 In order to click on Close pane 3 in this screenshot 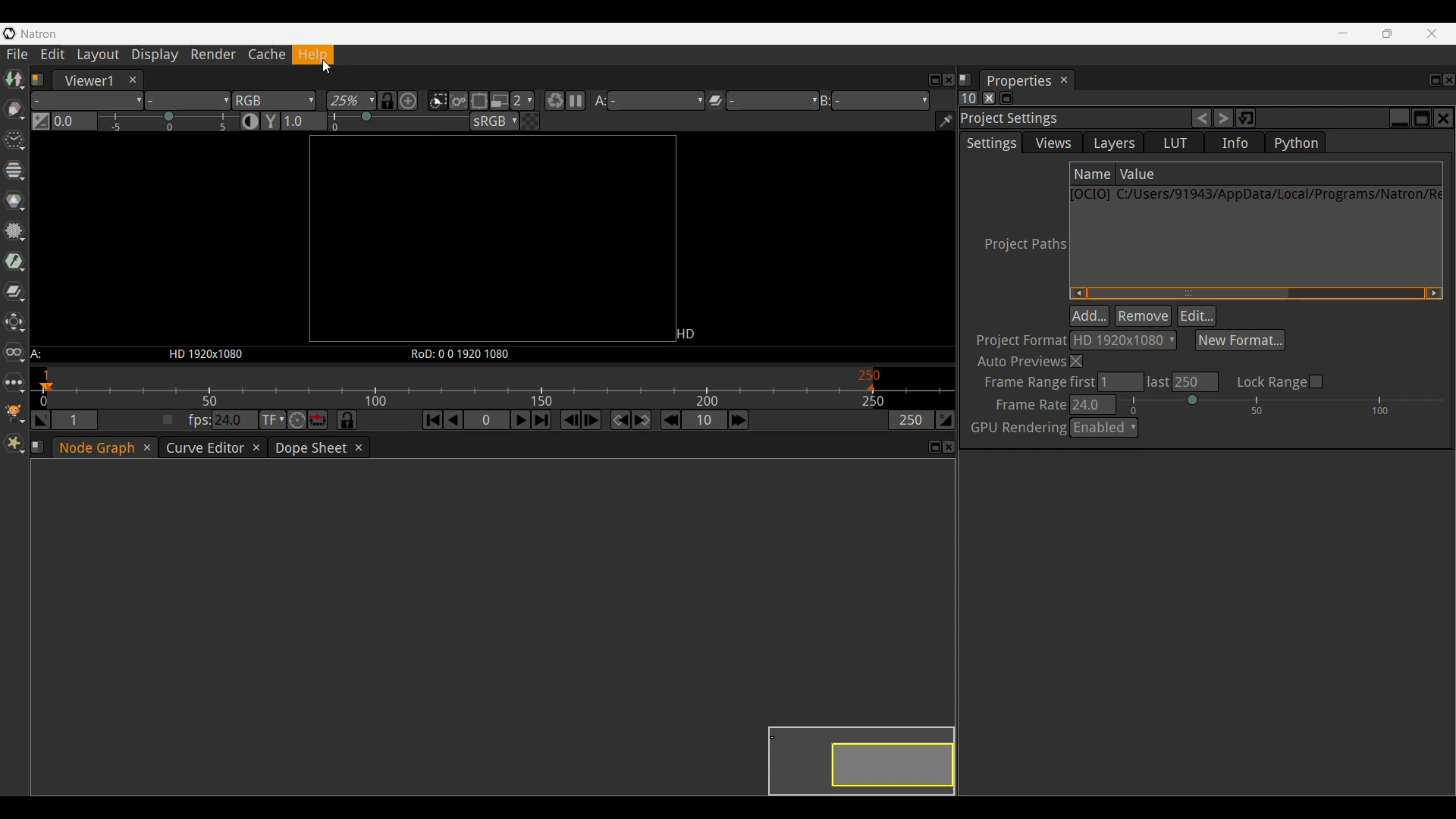, I will do `click(949, 447)`.